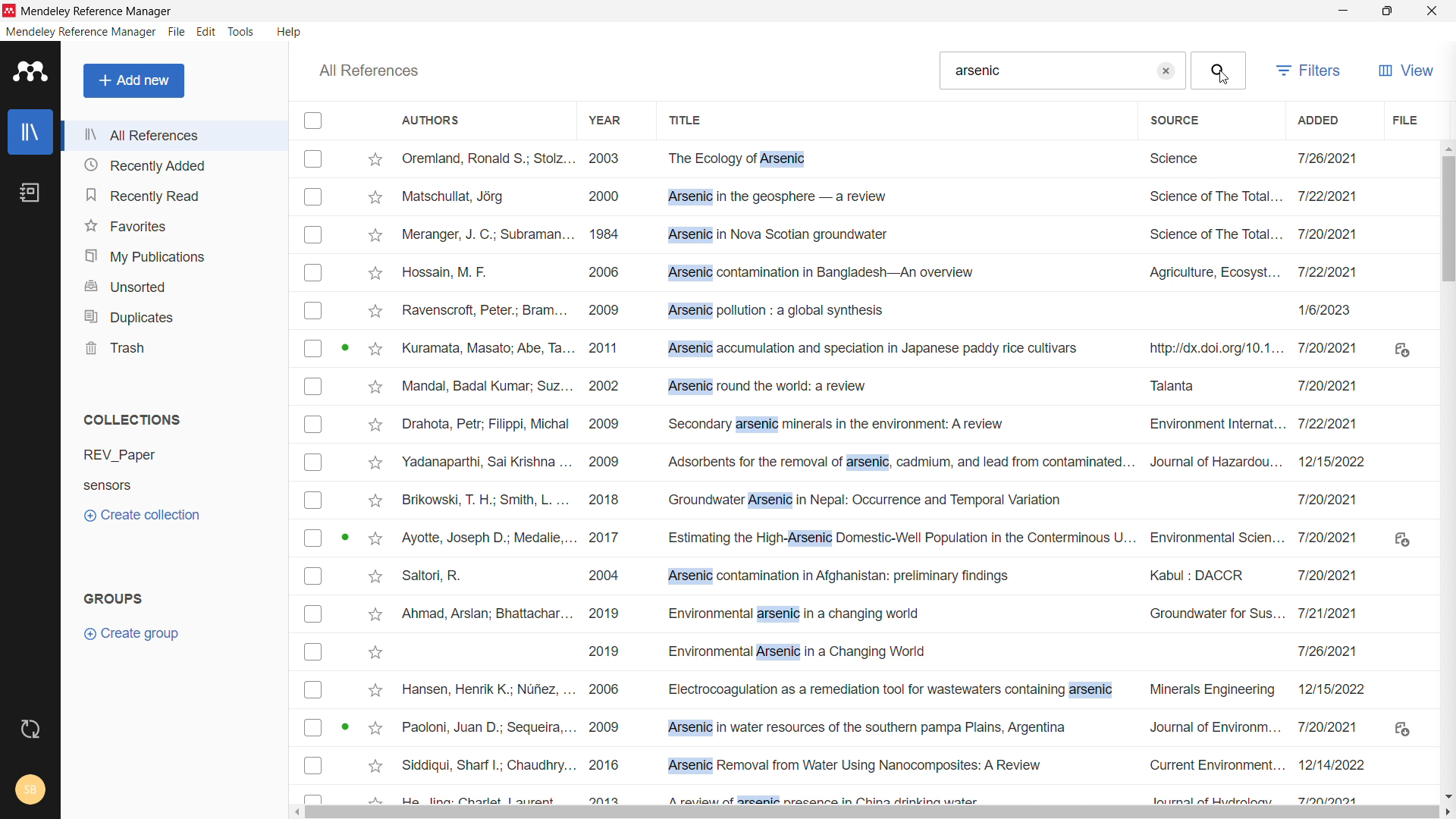 The width and height of the screenshot is (1456, 819). What do you see at coordinates (375, 767) in the screenshot?
I see `Add to favourites` at bounding box center [375, 767].